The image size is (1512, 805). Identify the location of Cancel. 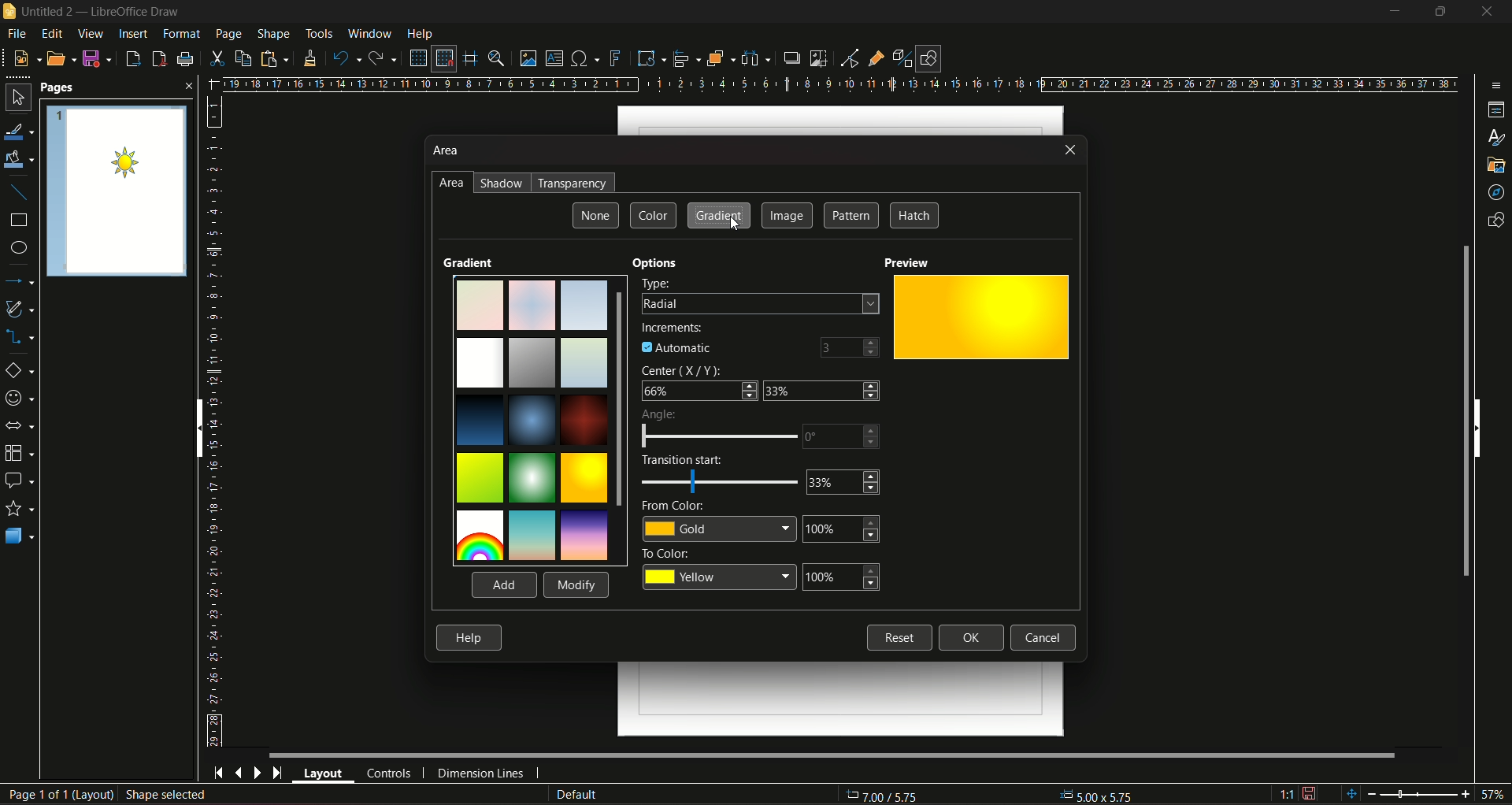
(1043, 637).